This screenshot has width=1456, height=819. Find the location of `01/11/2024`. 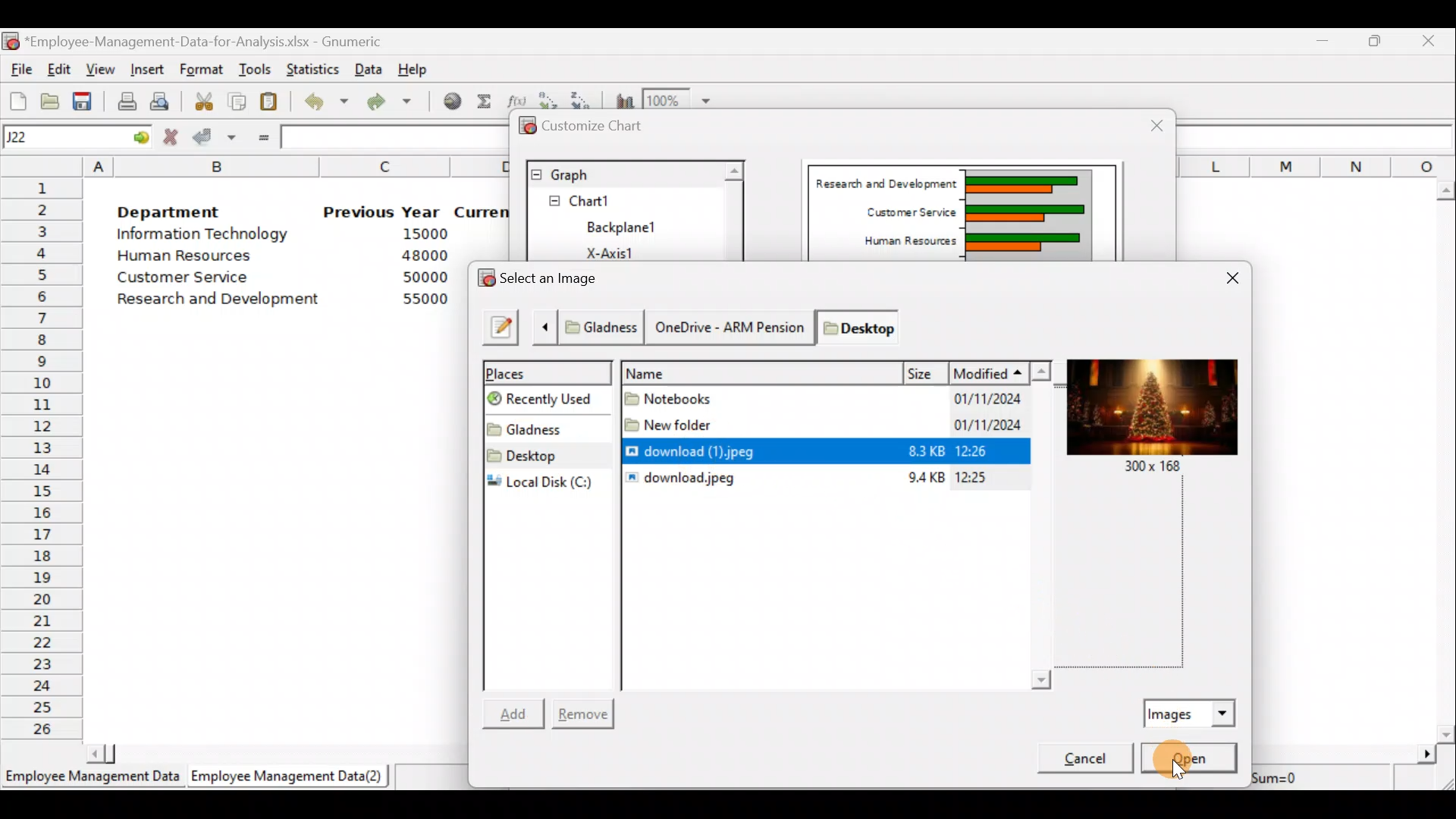

01/11/2024 is located at coordinates (981, 401).